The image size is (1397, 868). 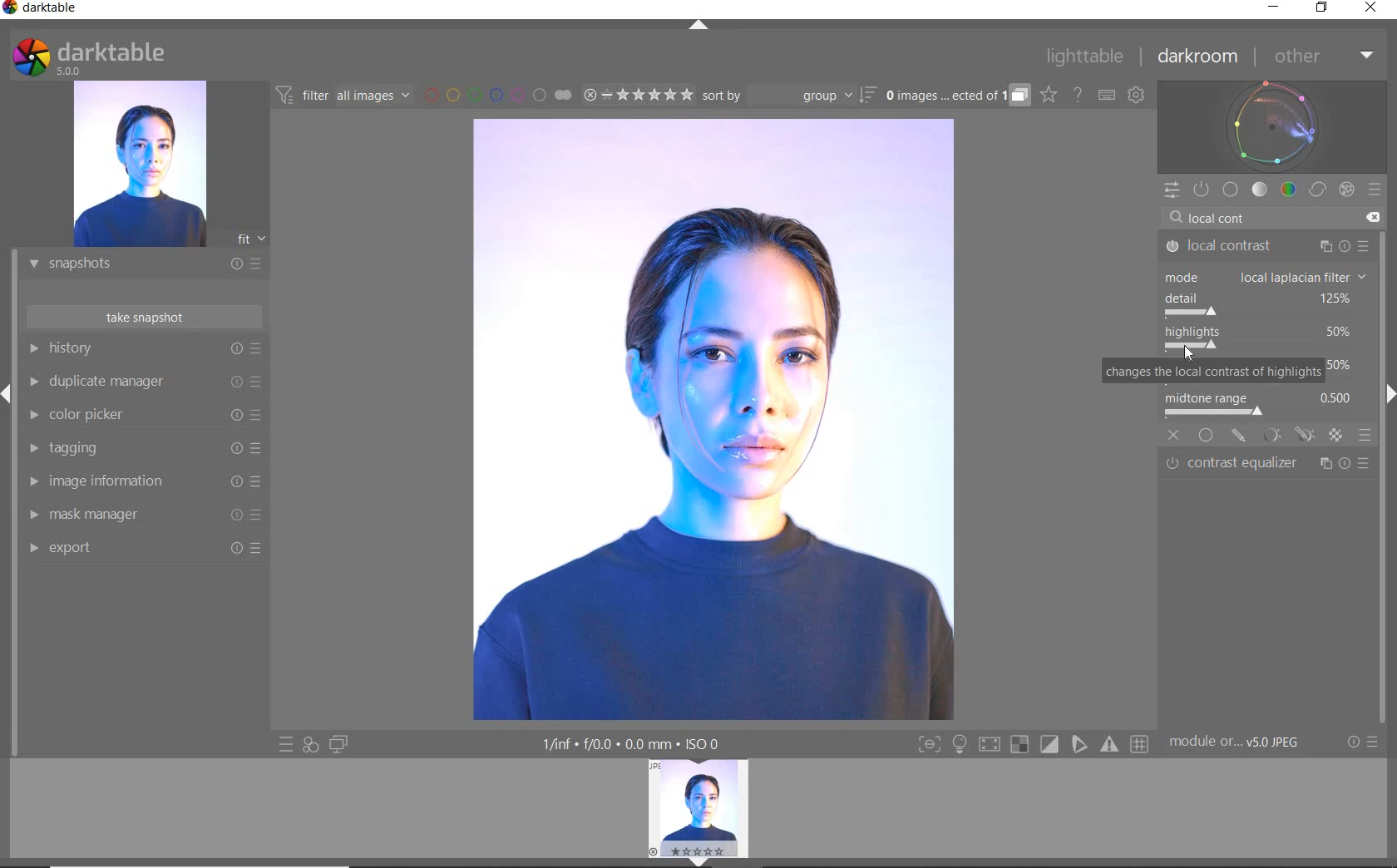 What do you see at coordinates (989, 747) in the screenshot?
I see `Button` at bounding box center [989, 747].